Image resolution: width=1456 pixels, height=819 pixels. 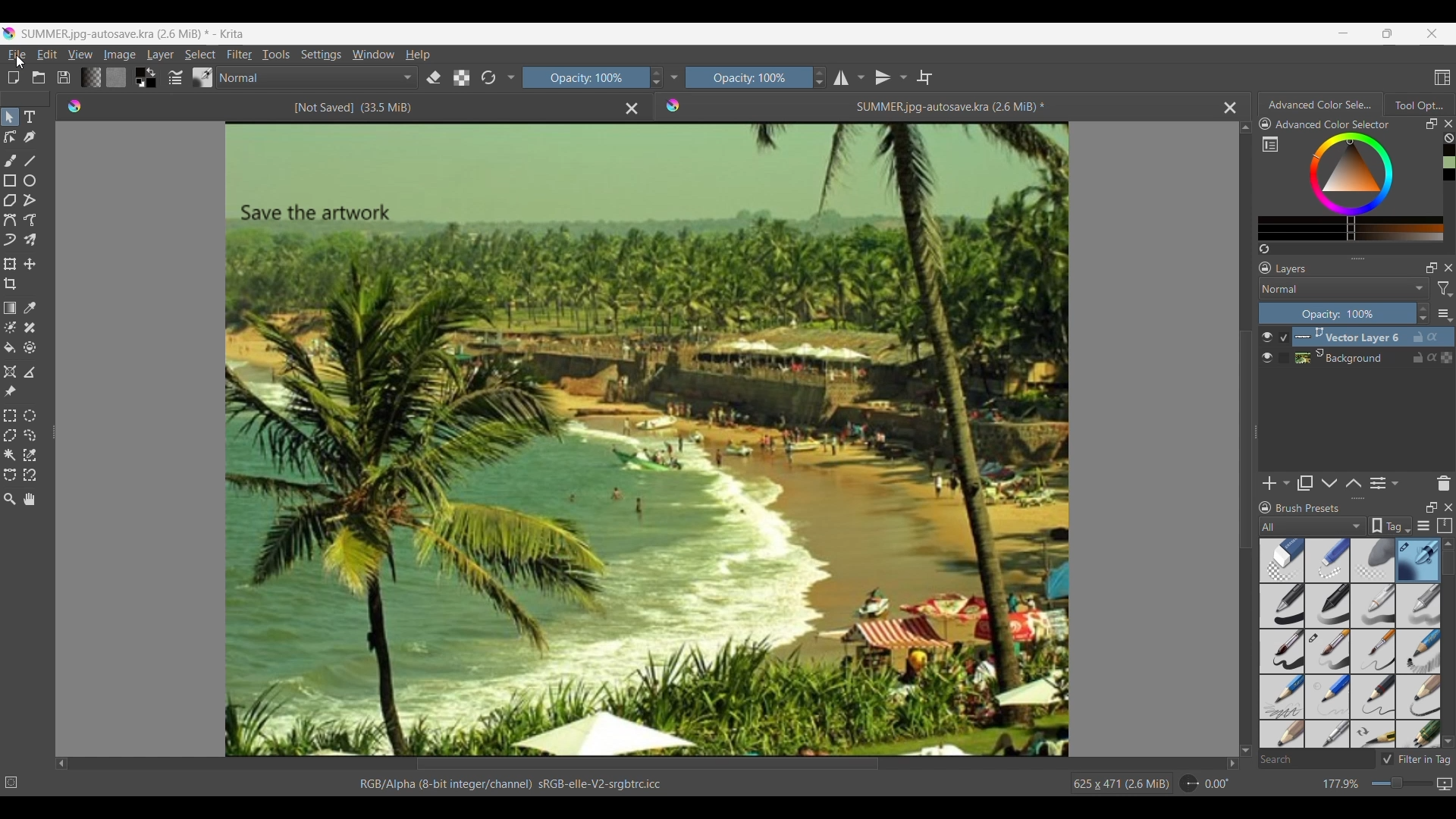 I want to click on Reset to original preset, so click(x=488, y=78).